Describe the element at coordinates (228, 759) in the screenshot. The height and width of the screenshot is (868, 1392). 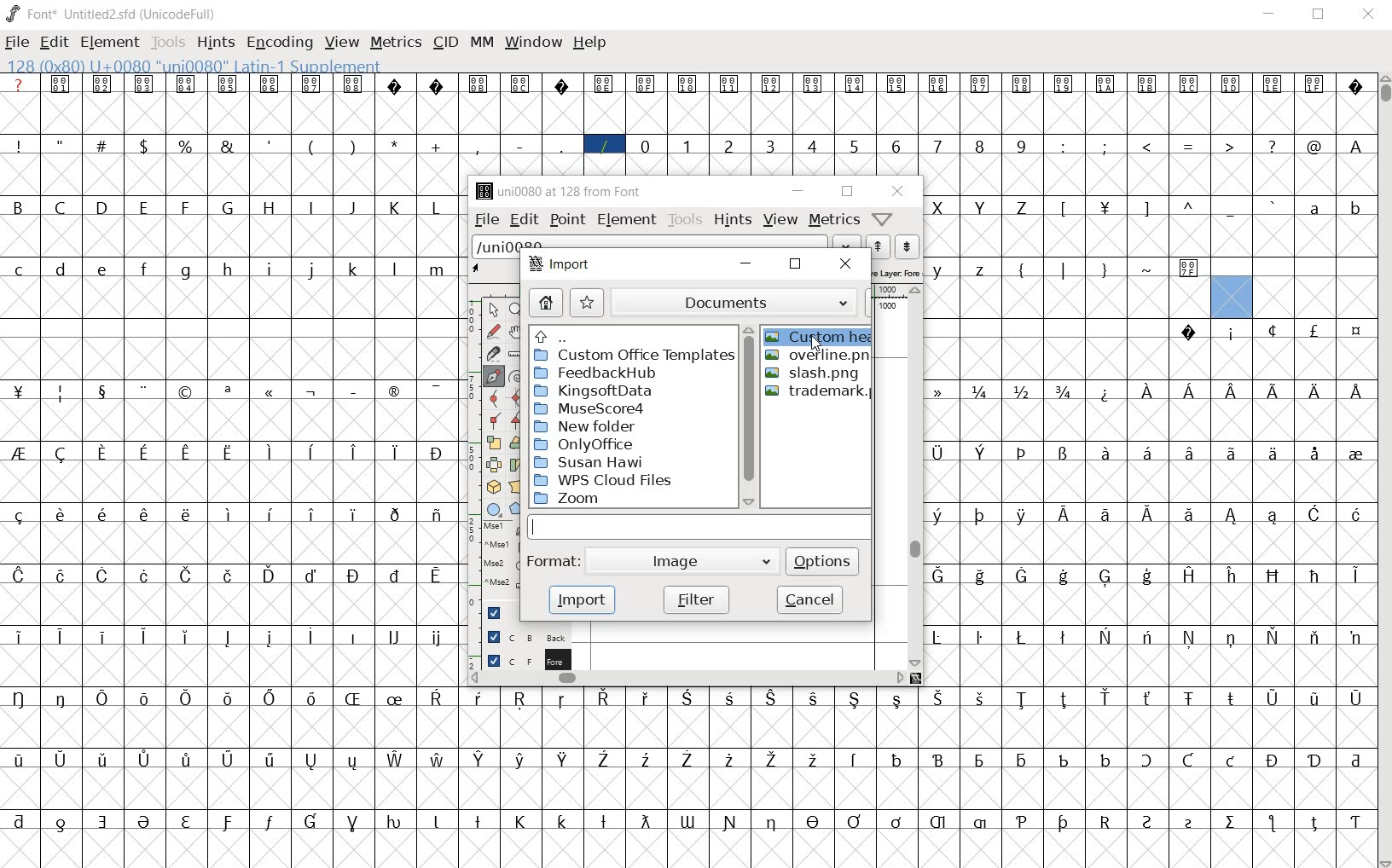
I see `glyph` at that location.